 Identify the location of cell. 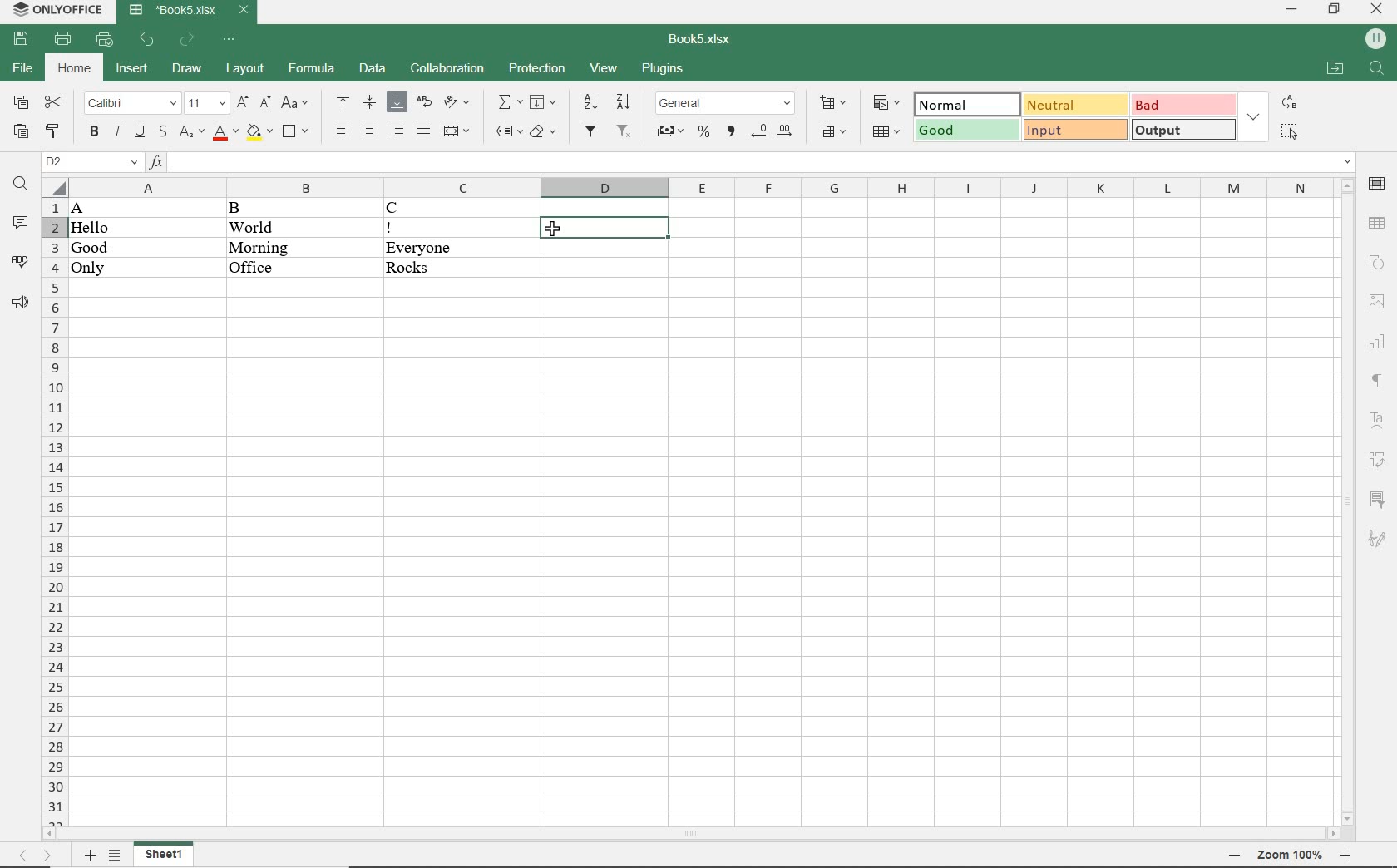
(604, 227).